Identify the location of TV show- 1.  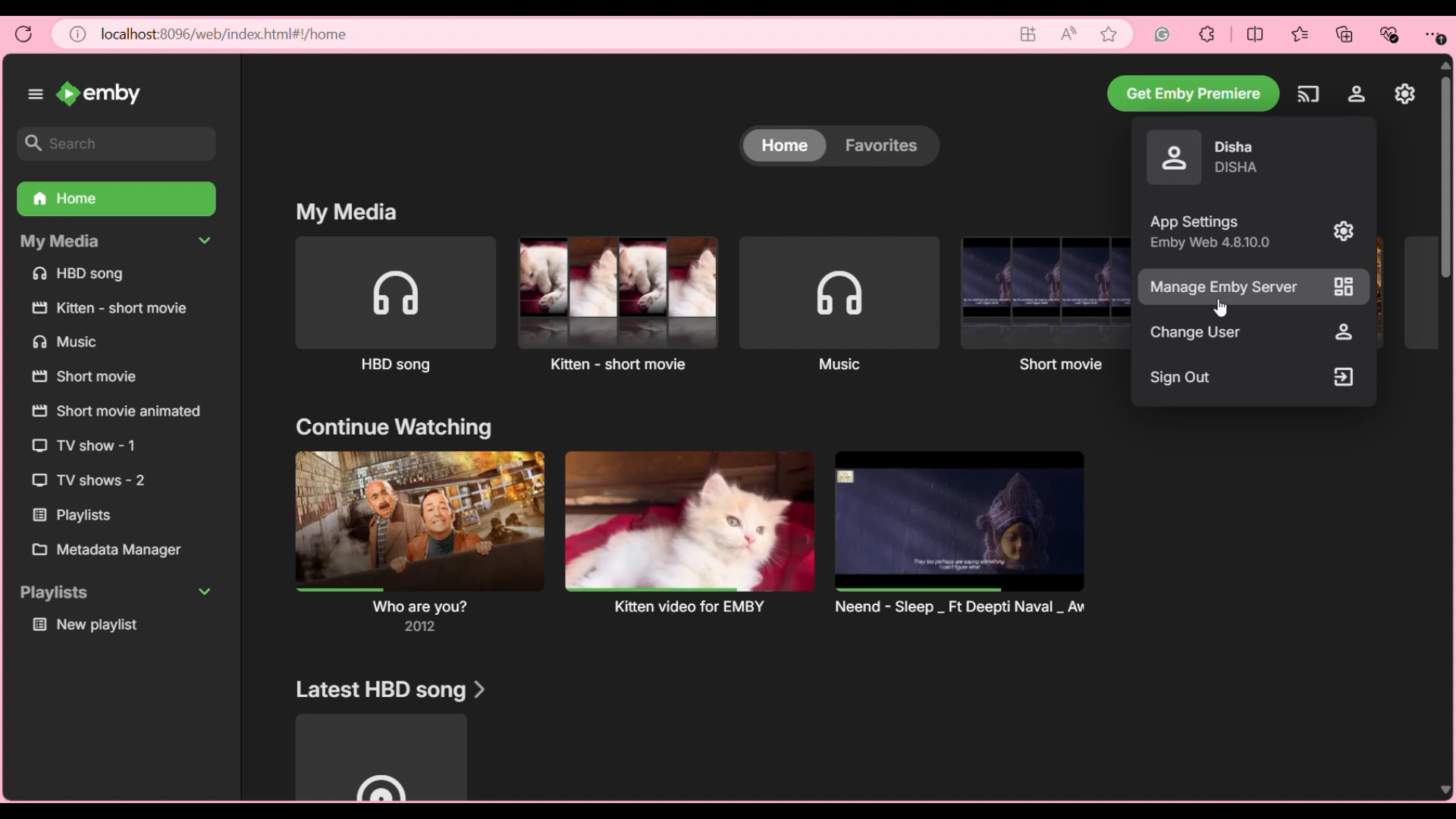
(87, 446).